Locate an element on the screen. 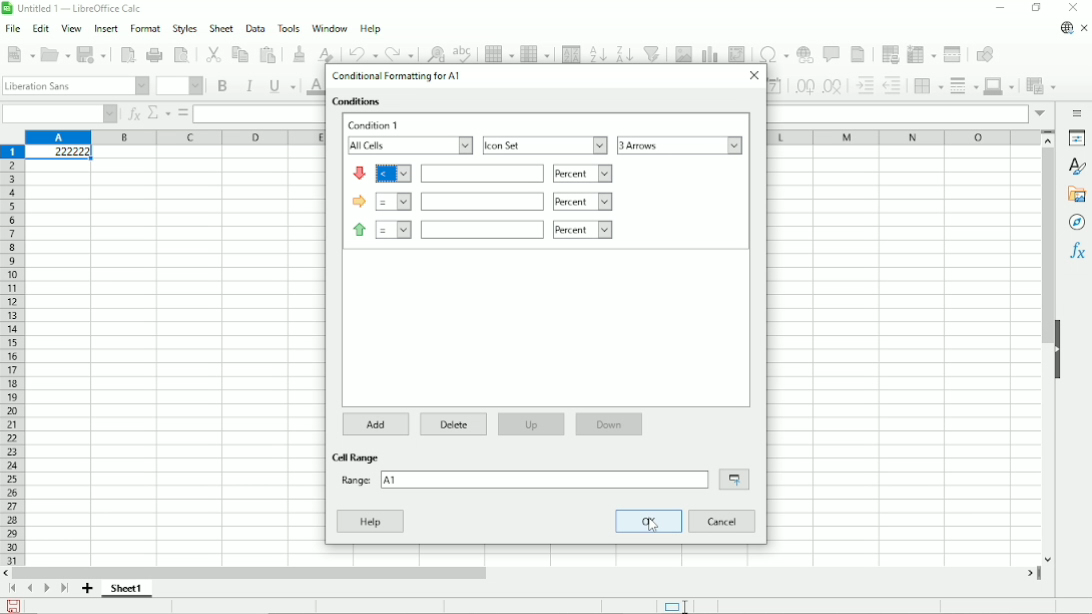 The width and height of the screenshot is (1092, 614). Help is located at coordinates (371, 29).